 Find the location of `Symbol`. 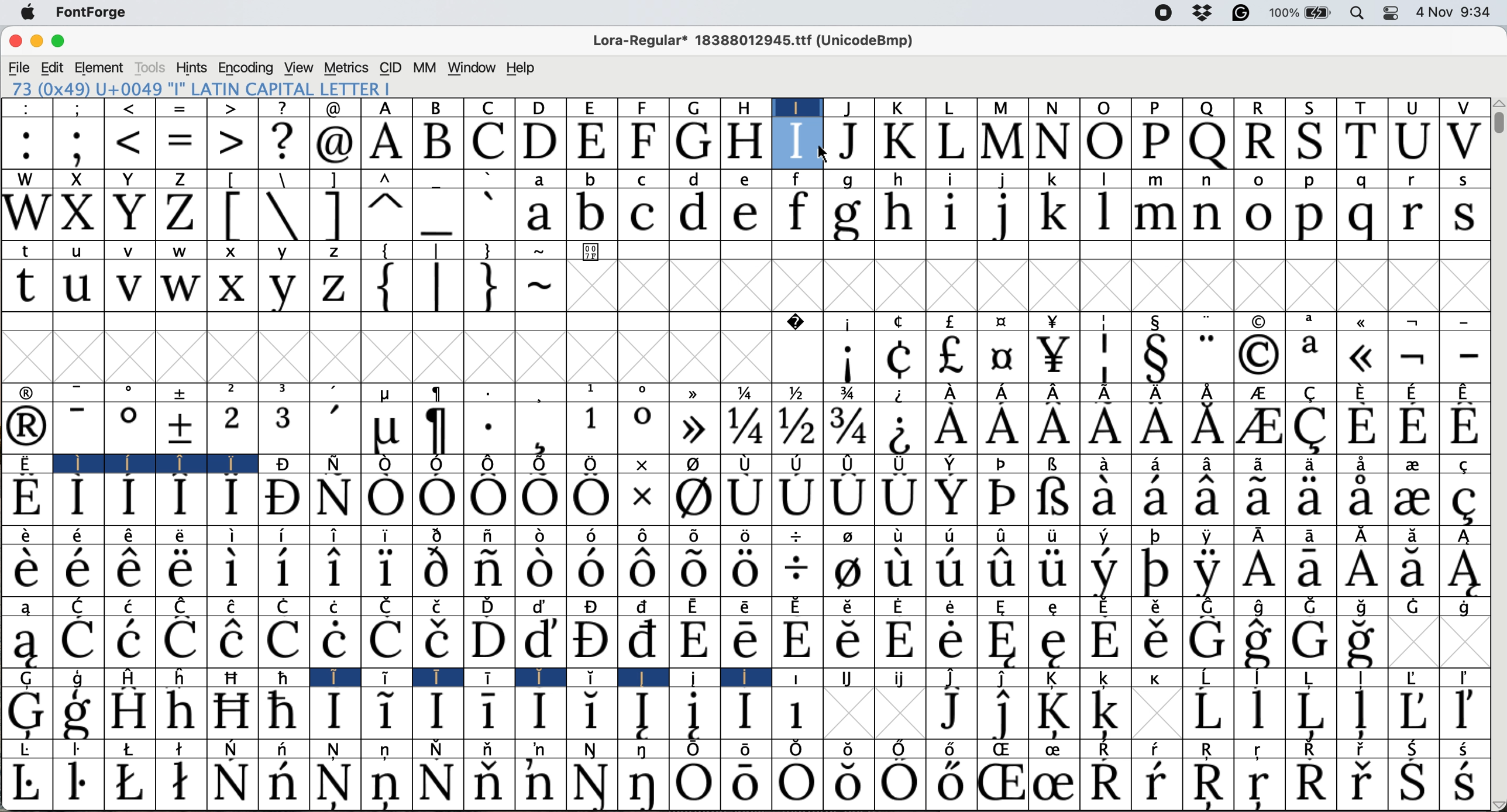

Symbol is located at coordinates (1465, 426).